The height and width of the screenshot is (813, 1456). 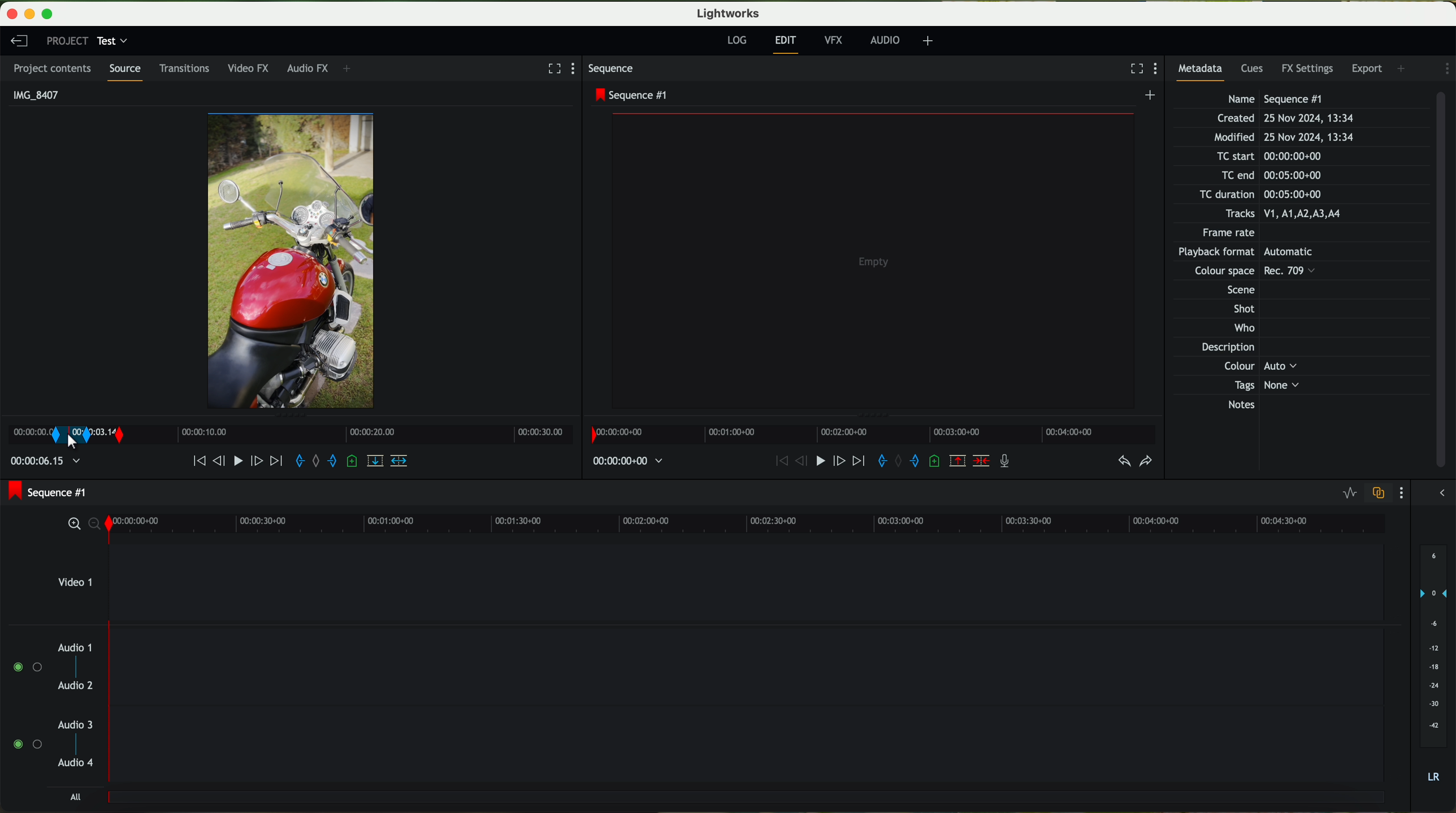 What do you see at coordinates (872, 434) in the screenshot?
I see `timeline` at bounding box center [872, 434].